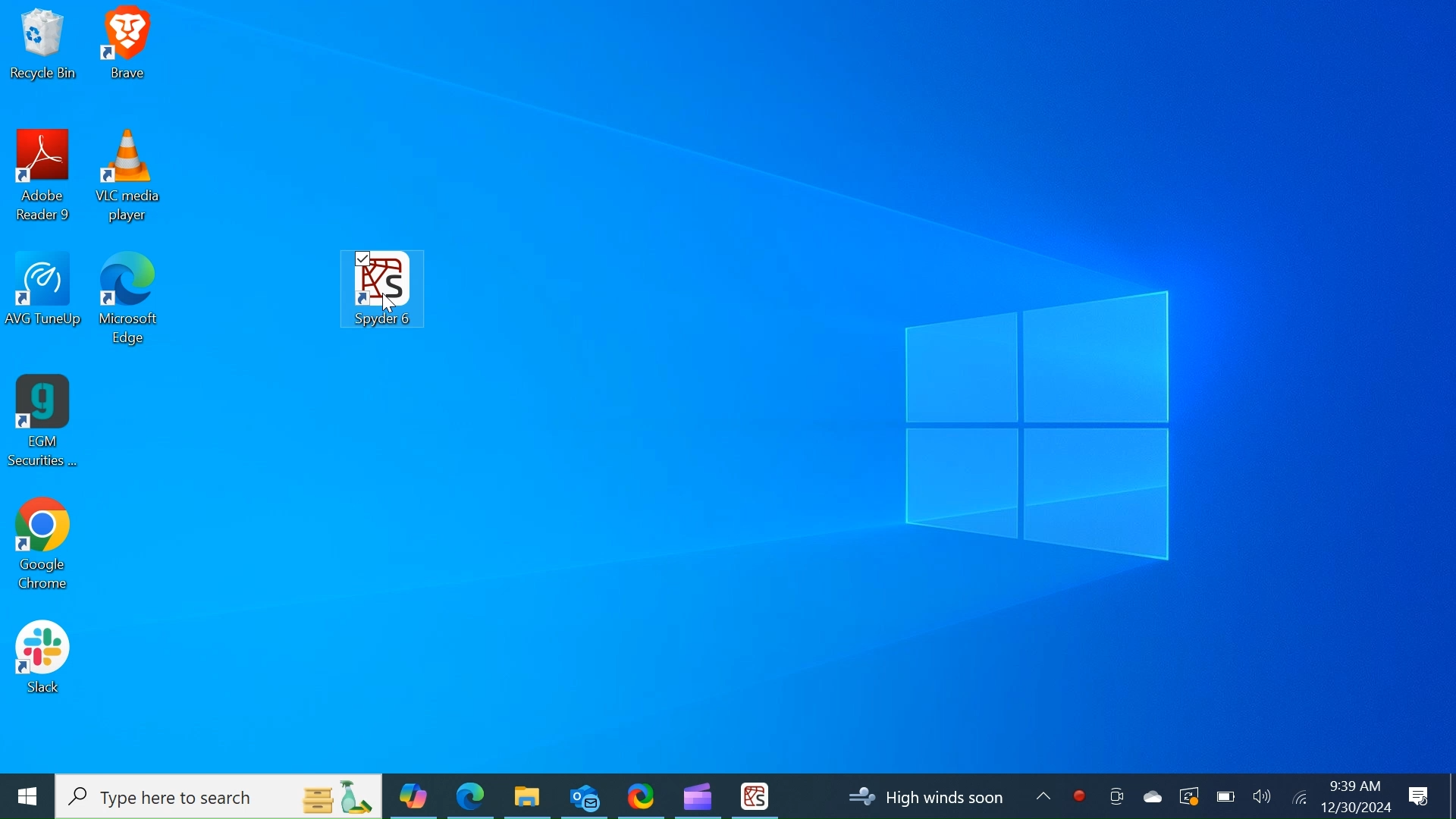 This screenshot has width=1456, height=819. Describe the element at coordinates (697, 795) in the screenshot. I see `Microsoft Clipchamp` at that location.